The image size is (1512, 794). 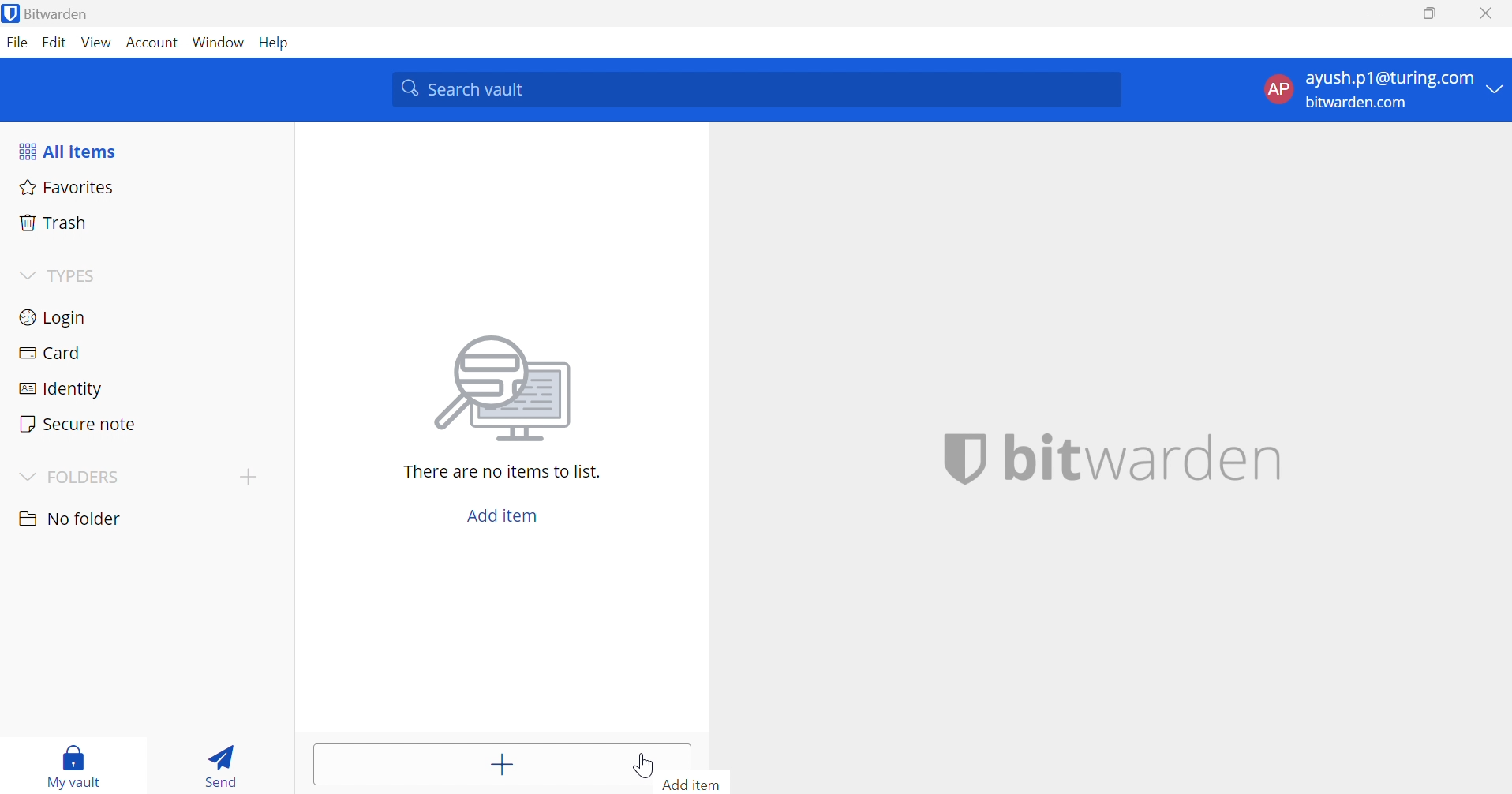 I want to click on Secure note, so click(x=79, y=423).